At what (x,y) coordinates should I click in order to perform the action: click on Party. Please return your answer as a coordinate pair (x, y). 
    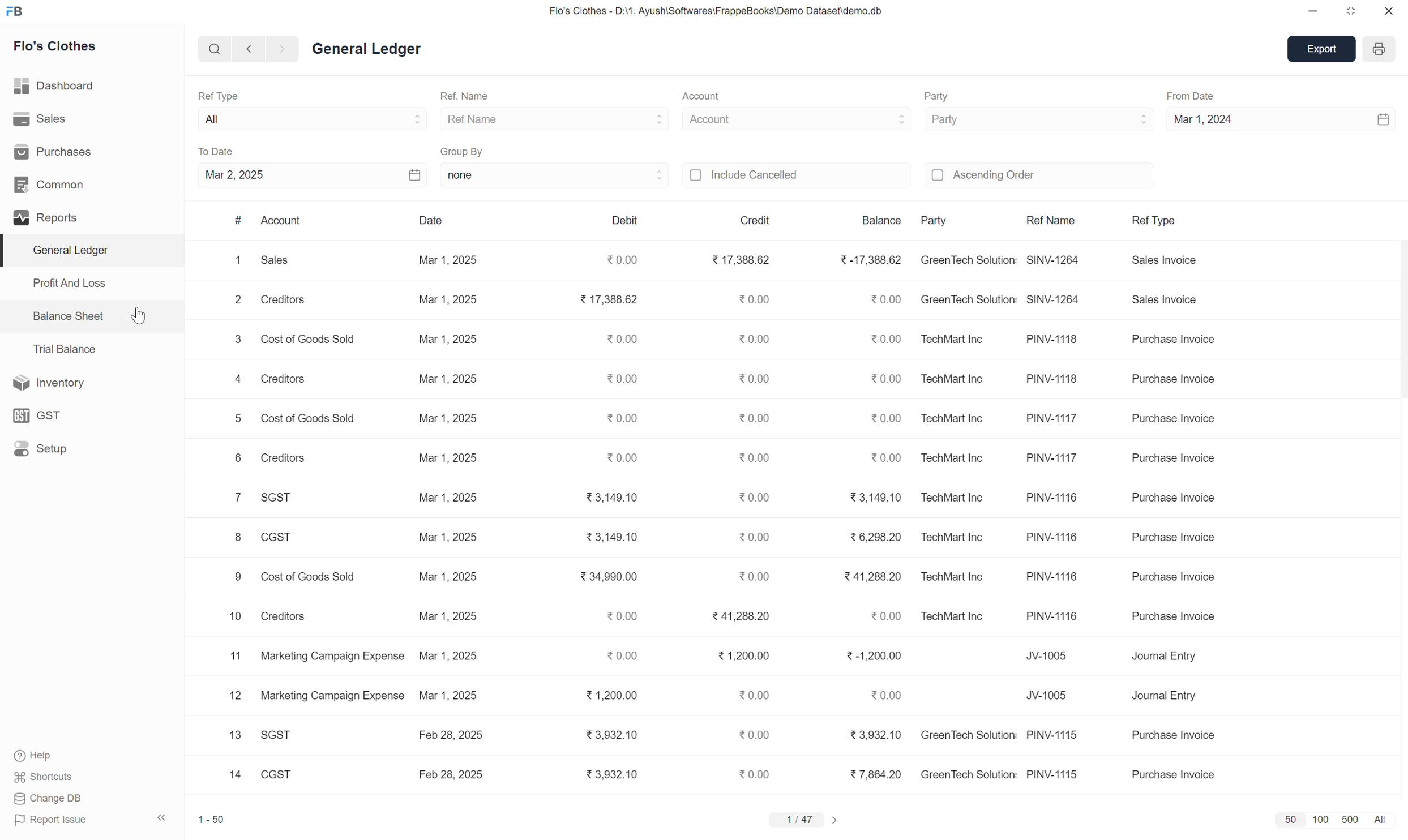
    Looking at the image, I should click on (1038, 118).